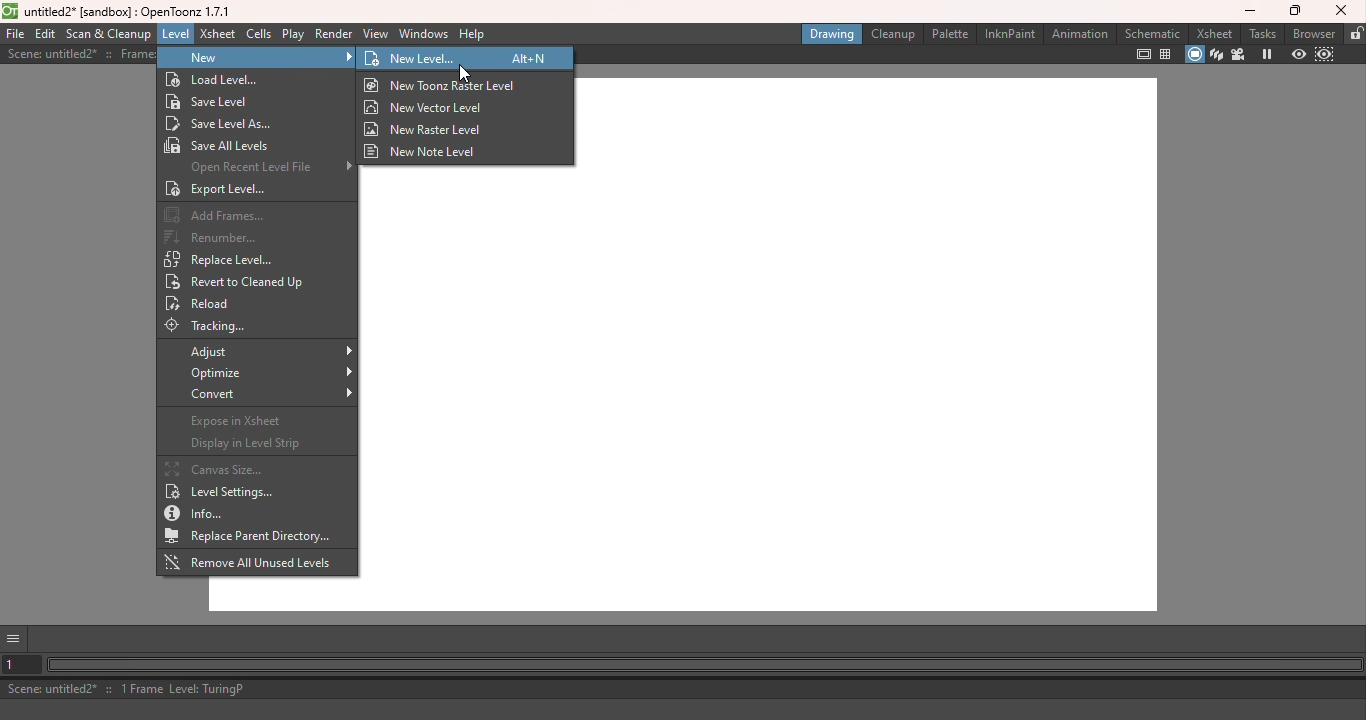 The image size is (1366, 720). Describe the element at coordinates (16, 640) in the screenshot. I see `More options` at that location.